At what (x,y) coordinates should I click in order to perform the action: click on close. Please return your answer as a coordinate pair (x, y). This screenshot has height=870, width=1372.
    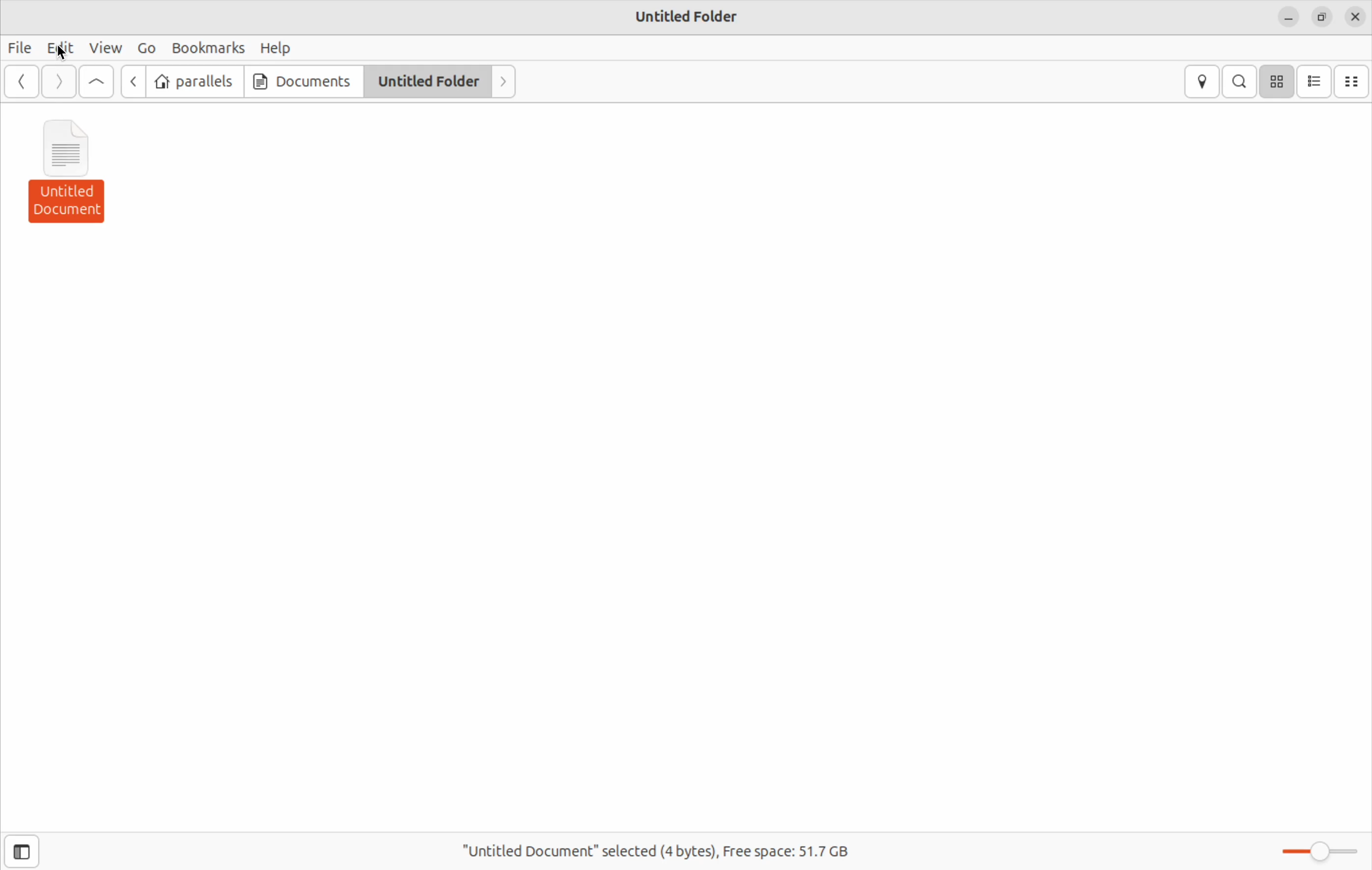
    Looking at the image, I should click on (1356, 18).